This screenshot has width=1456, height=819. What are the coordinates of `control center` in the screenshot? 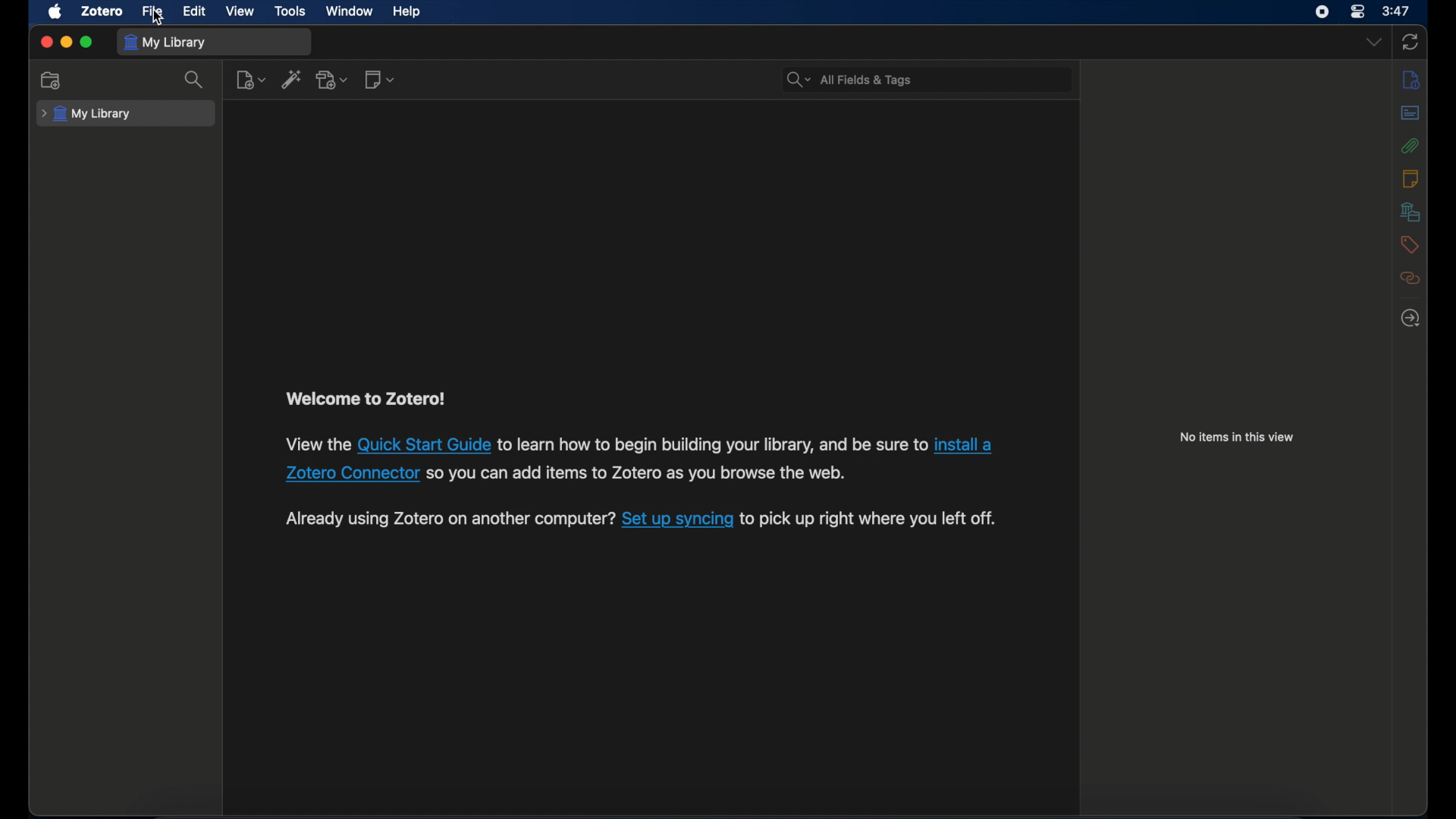 It's located at (1359, 12).